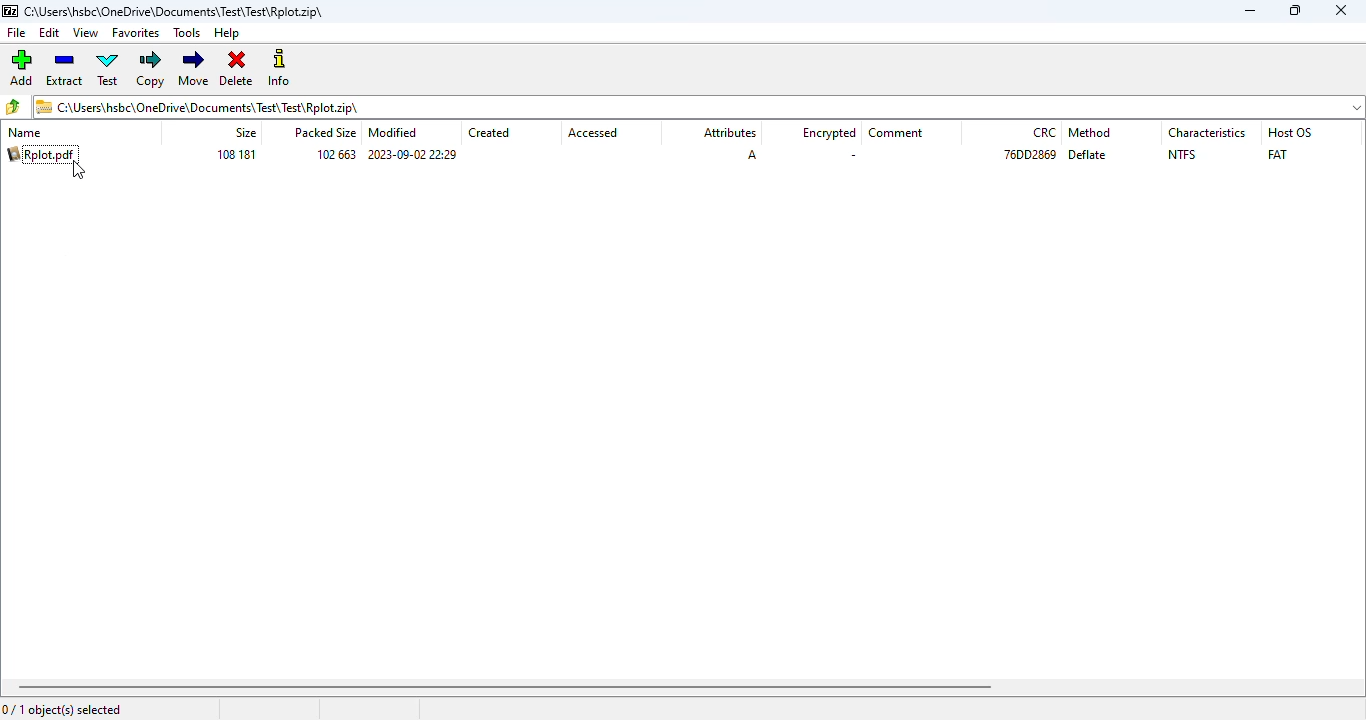 This screenshot has width=1366, height=720. What do you see at coordinates (50, 33) in the screenshot?
I see `edit` at bounding box center [50, 33].